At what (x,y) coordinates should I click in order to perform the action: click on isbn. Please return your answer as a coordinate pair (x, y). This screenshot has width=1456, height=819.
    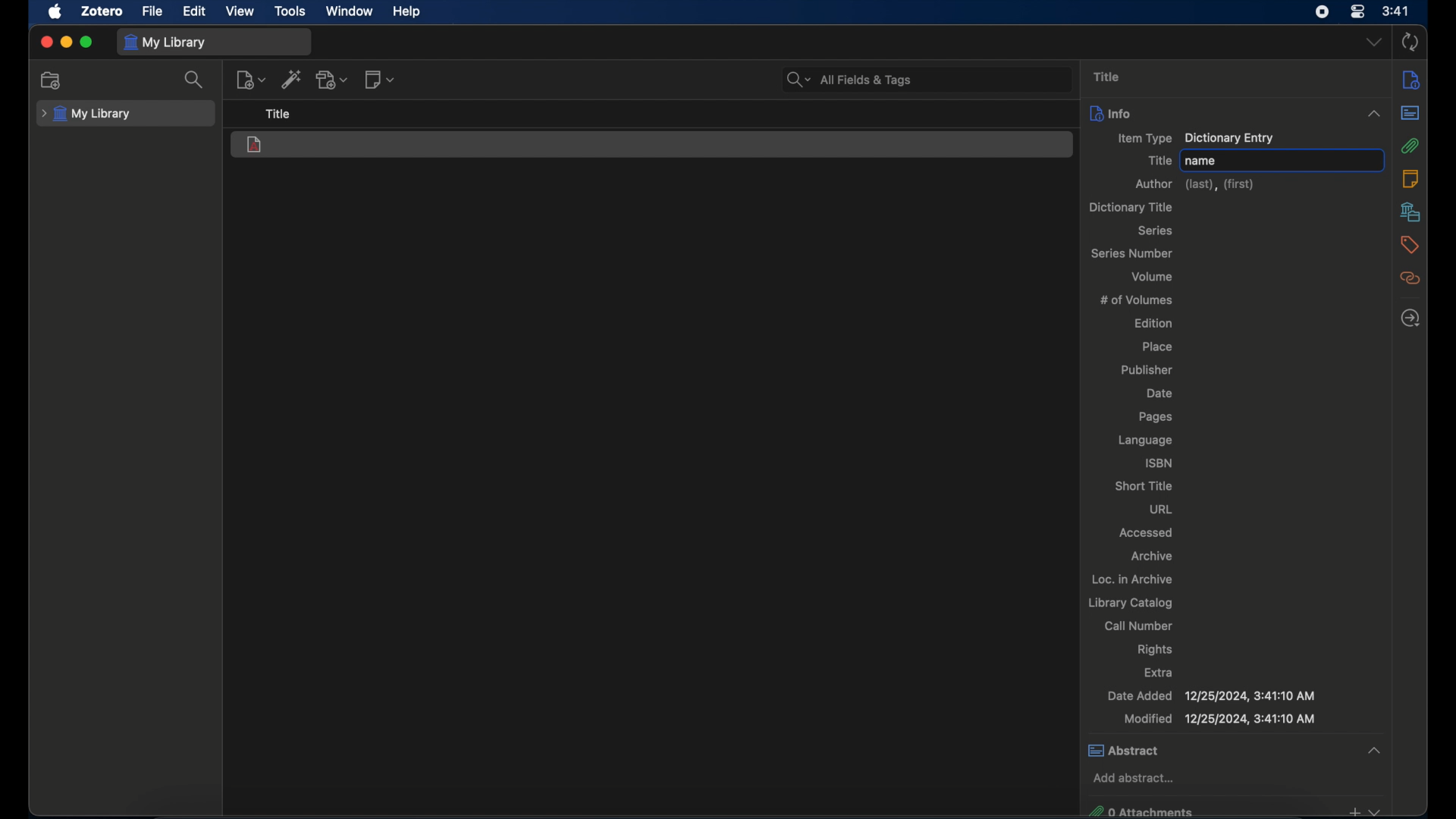
    Looking at the image, I should click on (1160, 463).